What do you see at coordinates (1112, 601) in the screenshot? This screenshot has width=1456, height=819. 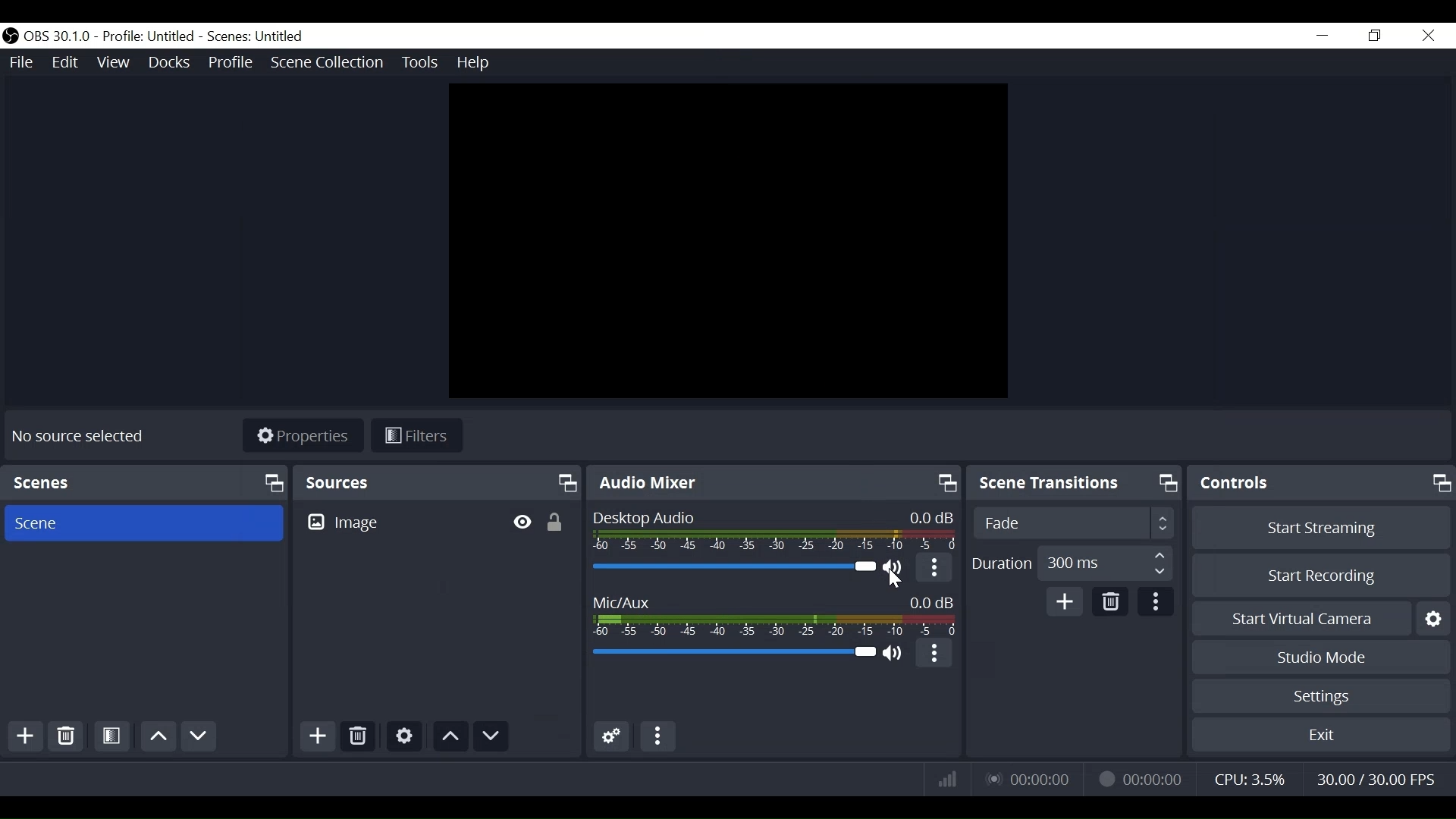 I see `Delete` at bounding box center [1112, 601].